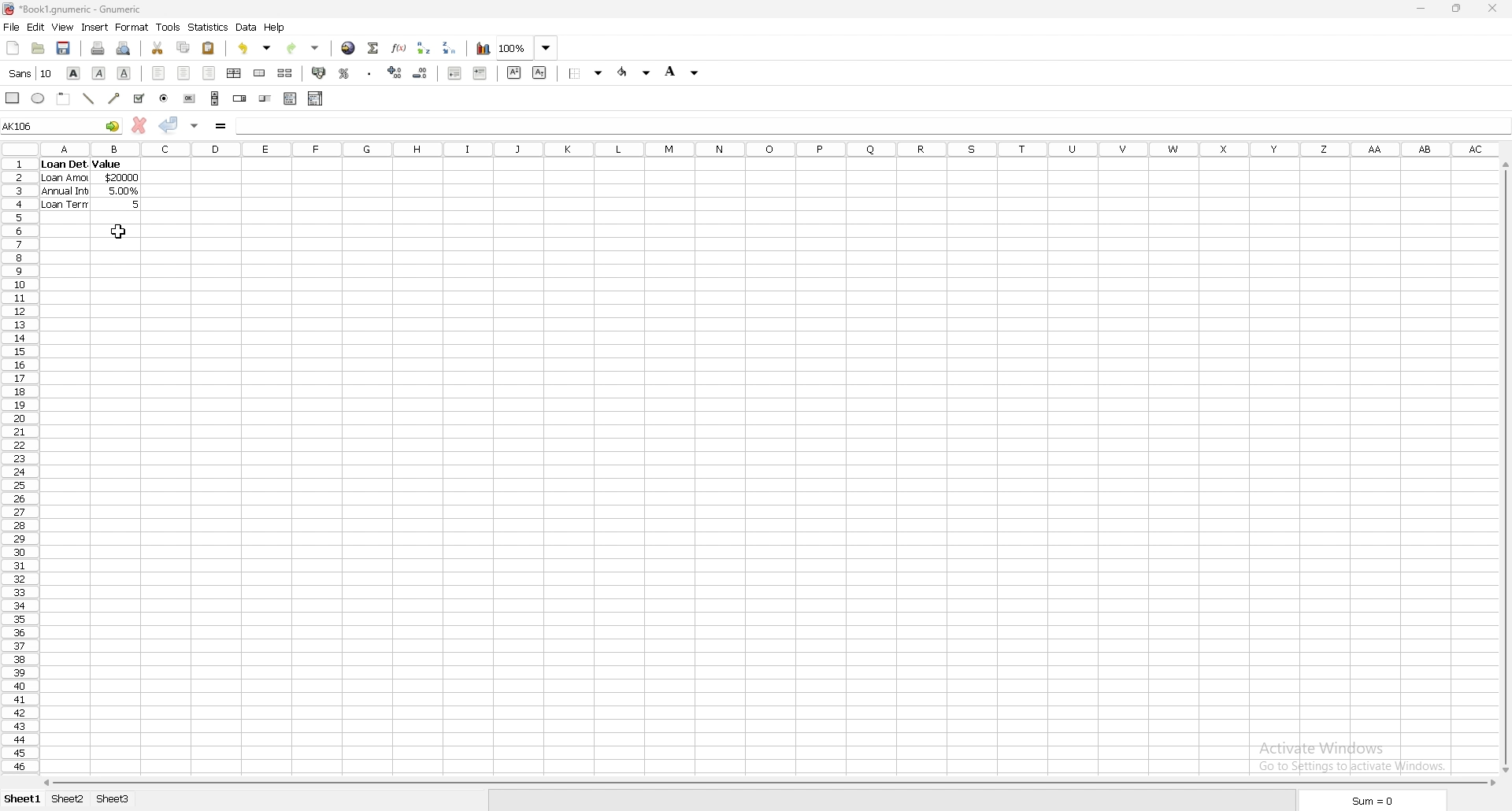  Describe the element at coordinates (65, 47) in the screenshot. I see `save` at that location.